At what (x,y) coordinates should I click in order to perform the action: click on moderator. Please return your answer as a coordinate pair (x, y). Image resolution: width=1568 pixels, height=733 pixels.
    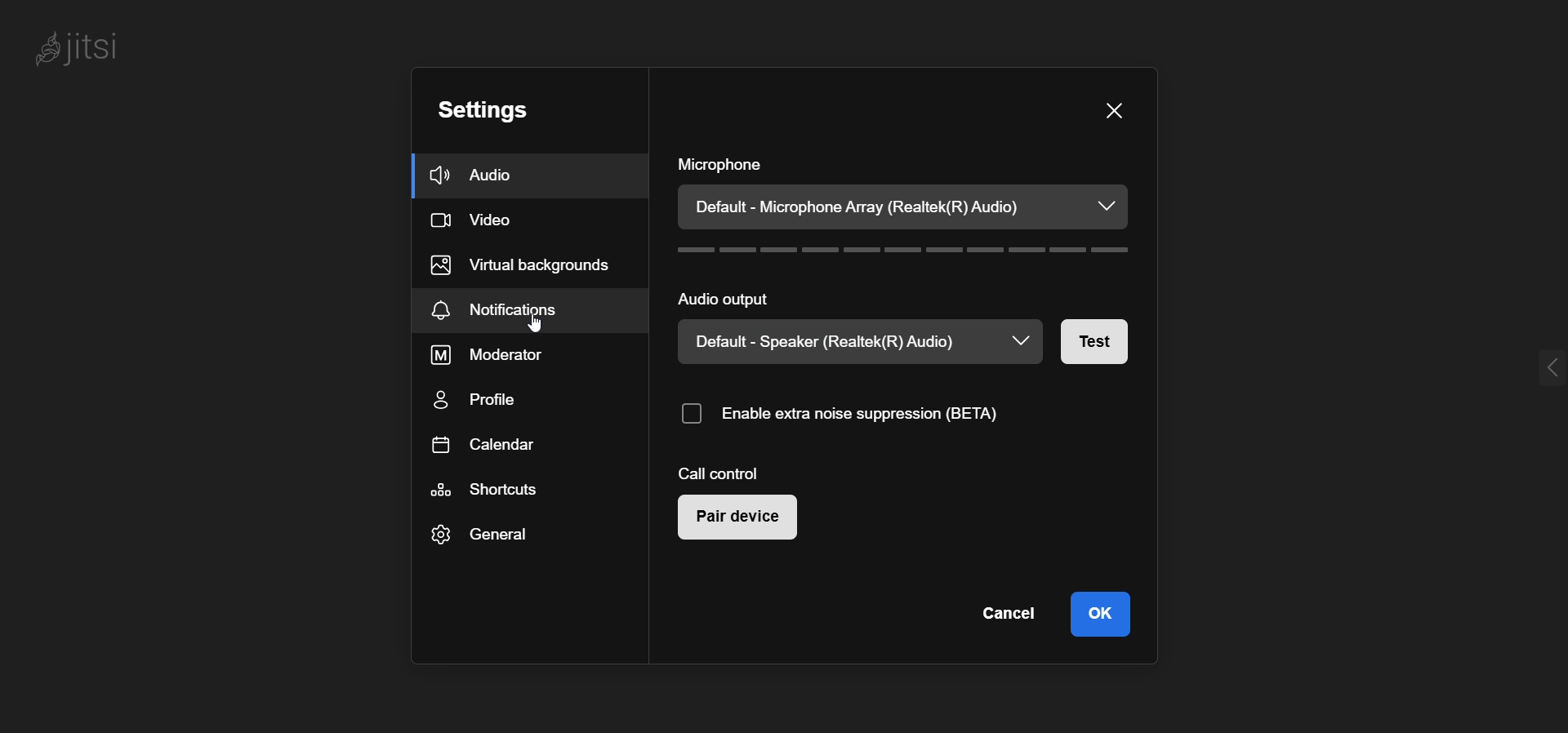
    Looking at the image, I should click on (488, 355).